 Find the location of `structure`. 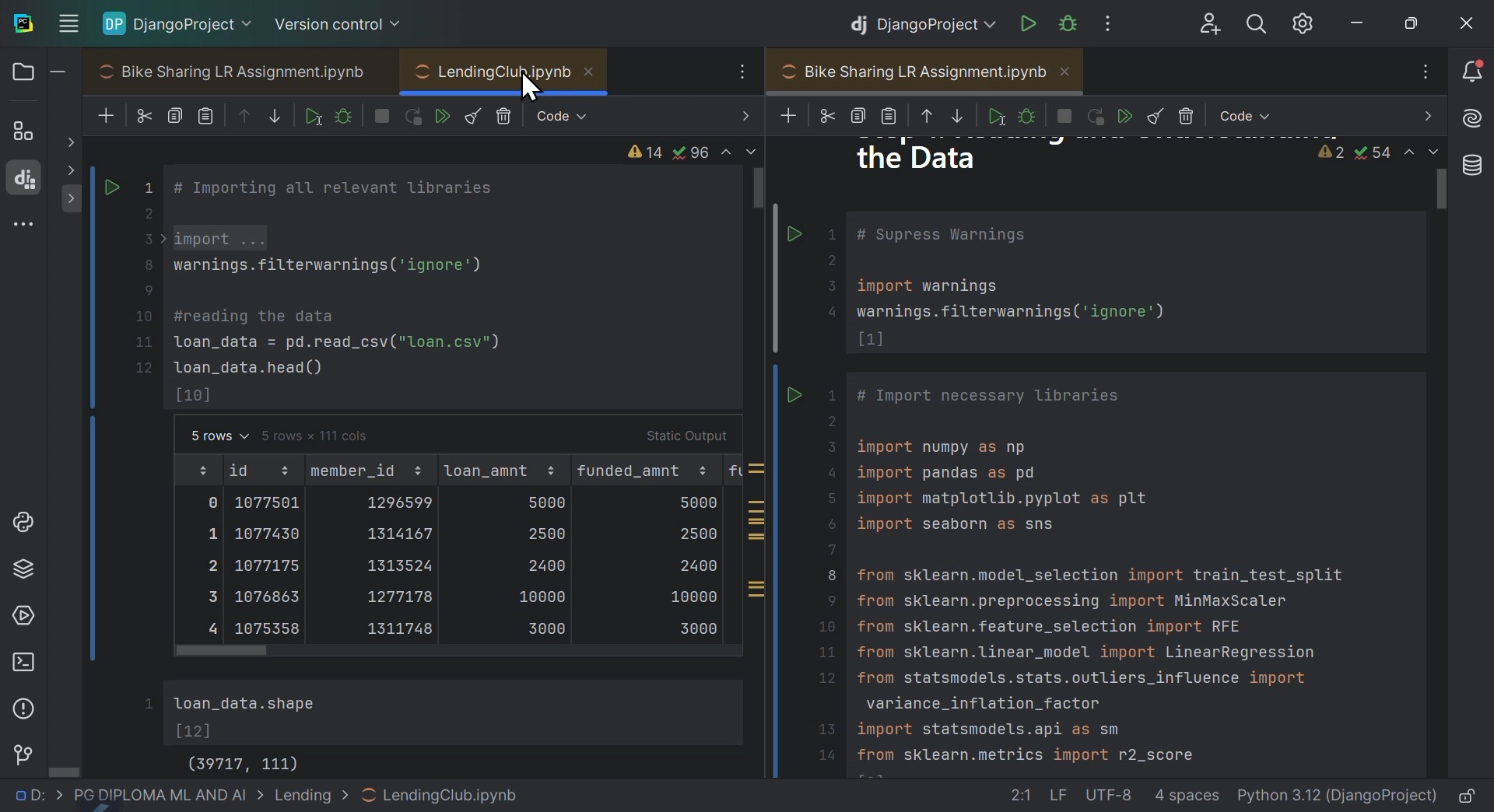

structure is located at coordinates (23, 129).